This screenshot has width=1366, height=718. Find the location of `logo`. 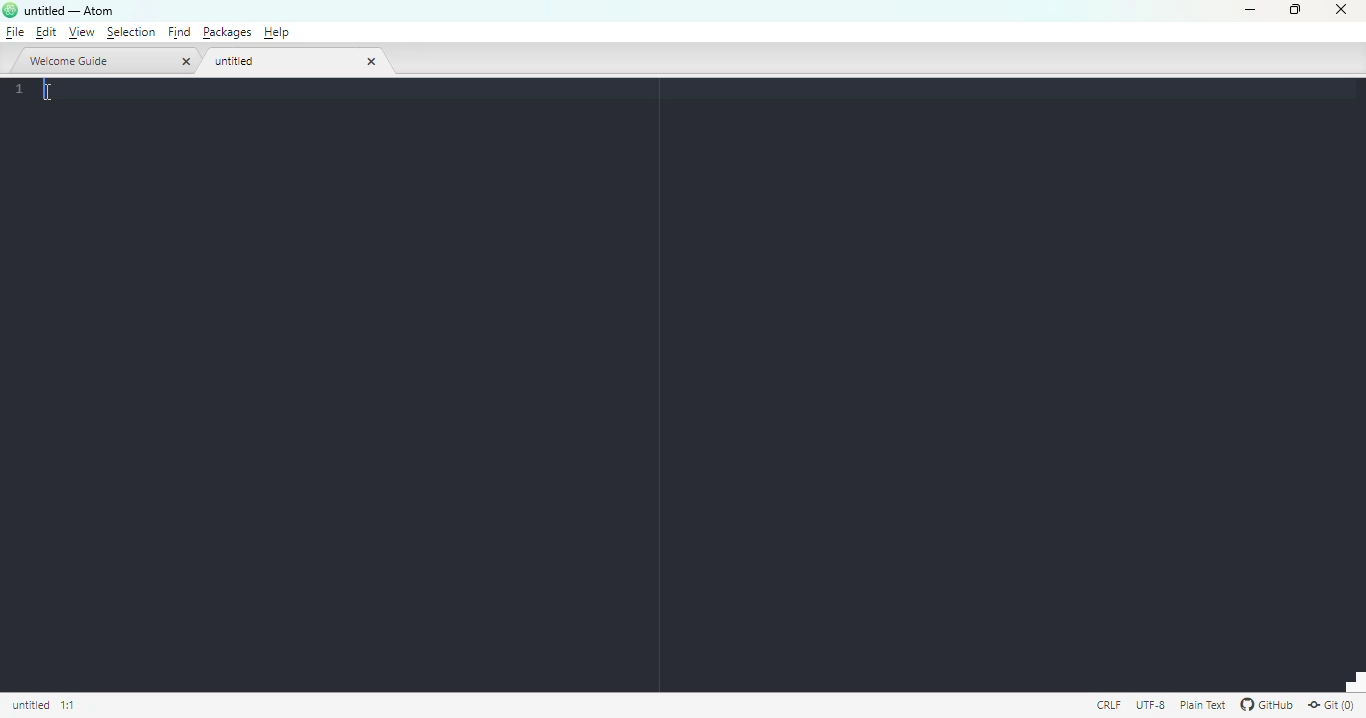

logo is located at coordinates (9, 9).